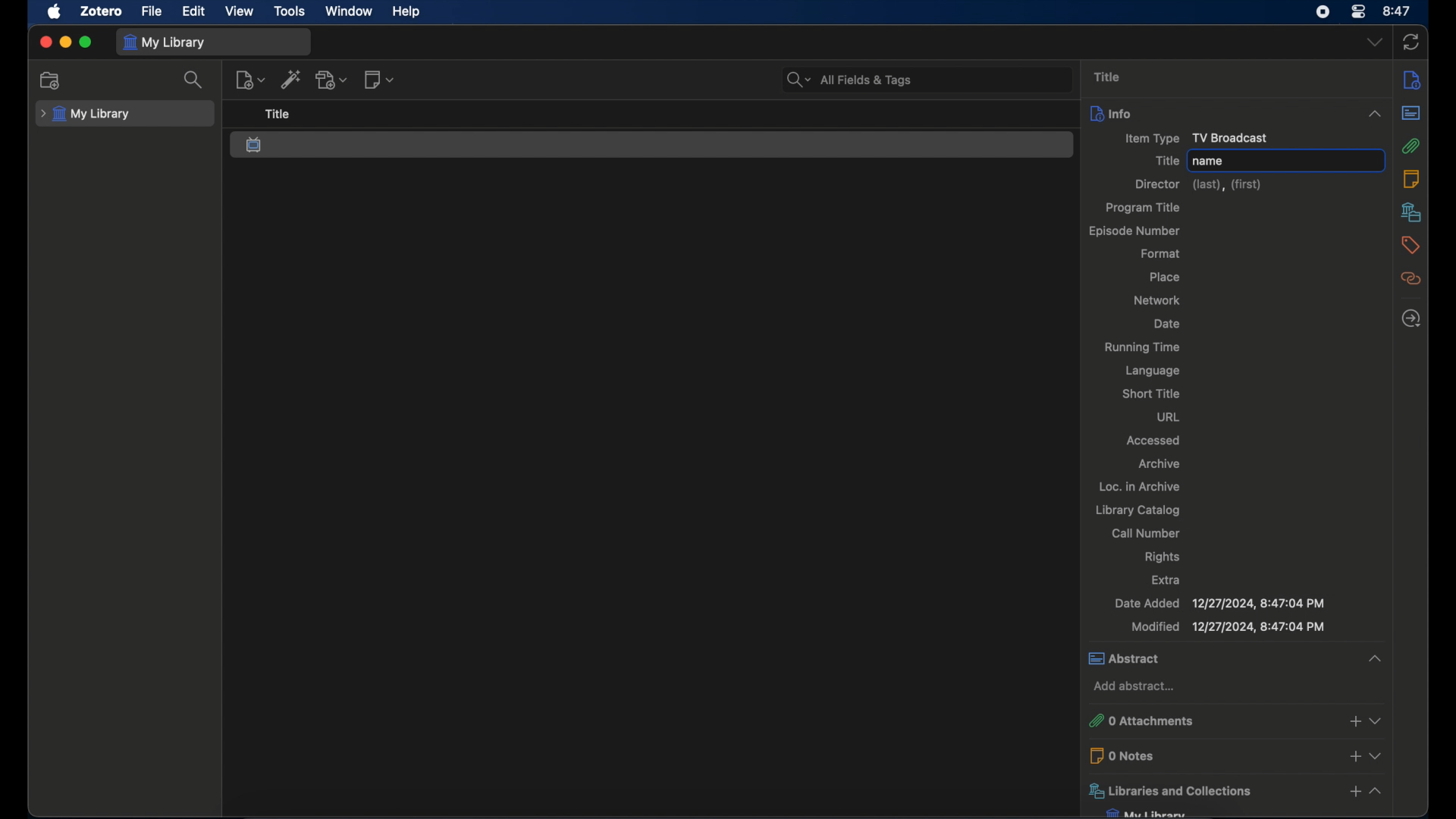 This screenshot has width=1456, height=819. What do you see at coordinates (1210, 162) in the screenshot?
I see `name` at bounding box center [1210, 162].